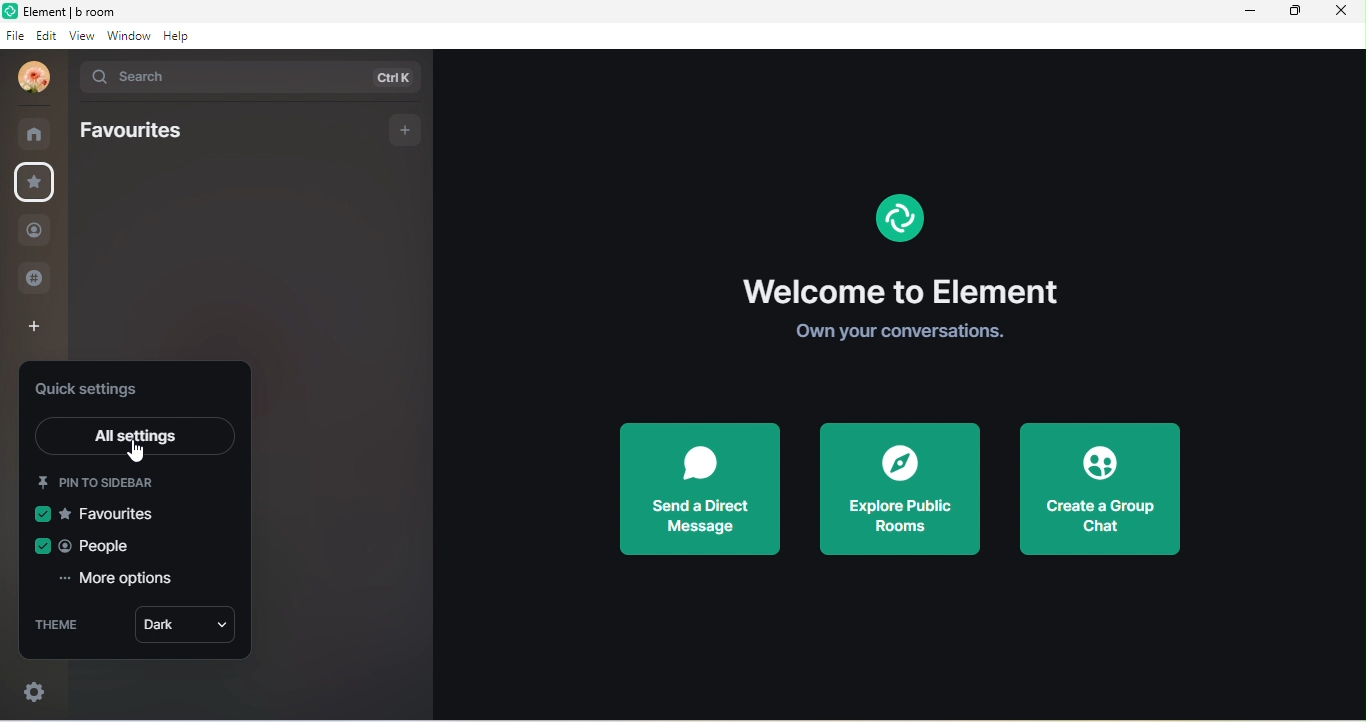 This screenshot has width=1366, height=722. Describe the element at coordinates (98, 513) in the screenshot. I see `favourites` at that location.